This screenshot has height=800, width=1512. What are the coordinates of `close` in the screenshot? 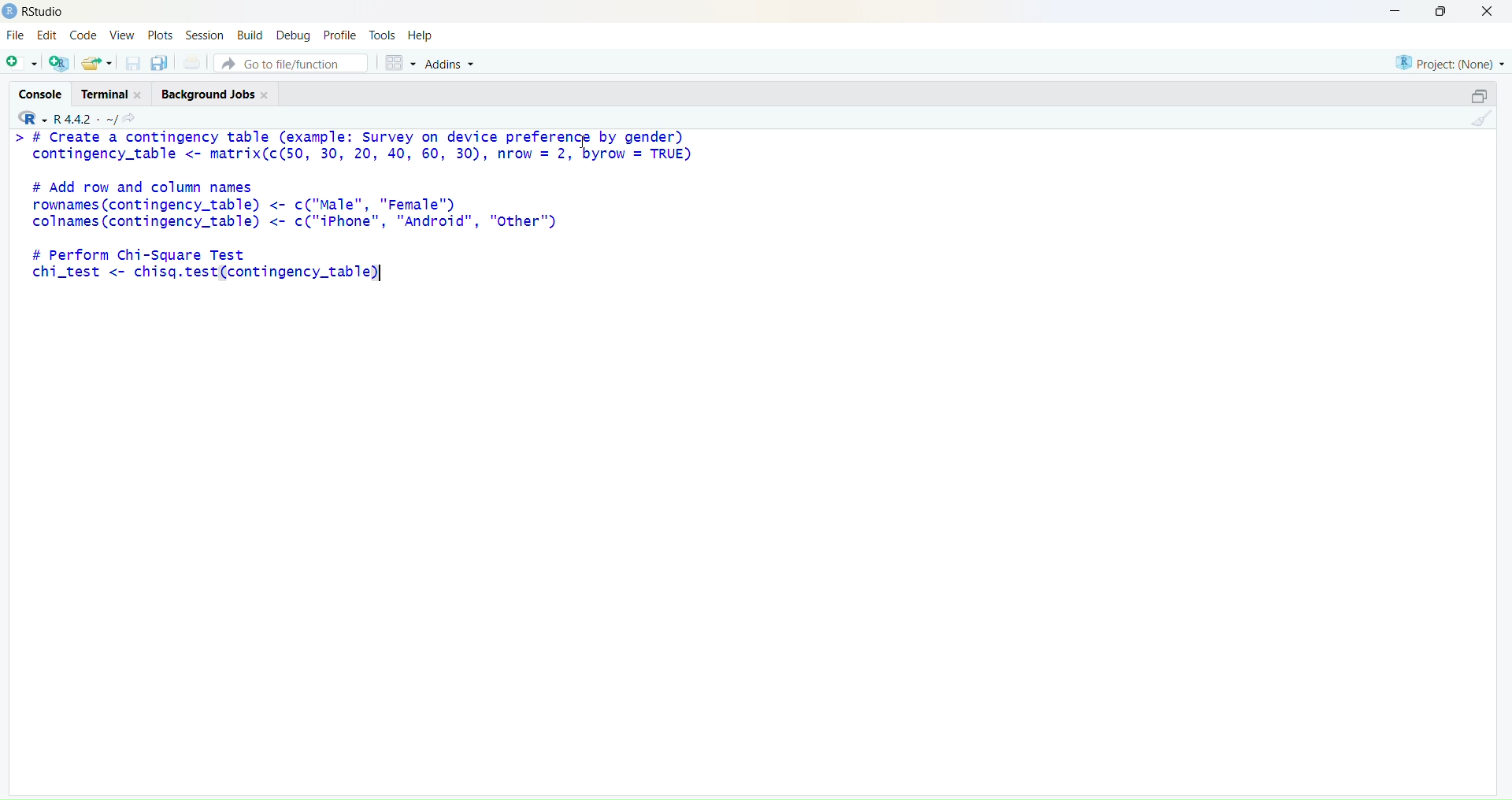 It's located at (265, 94).